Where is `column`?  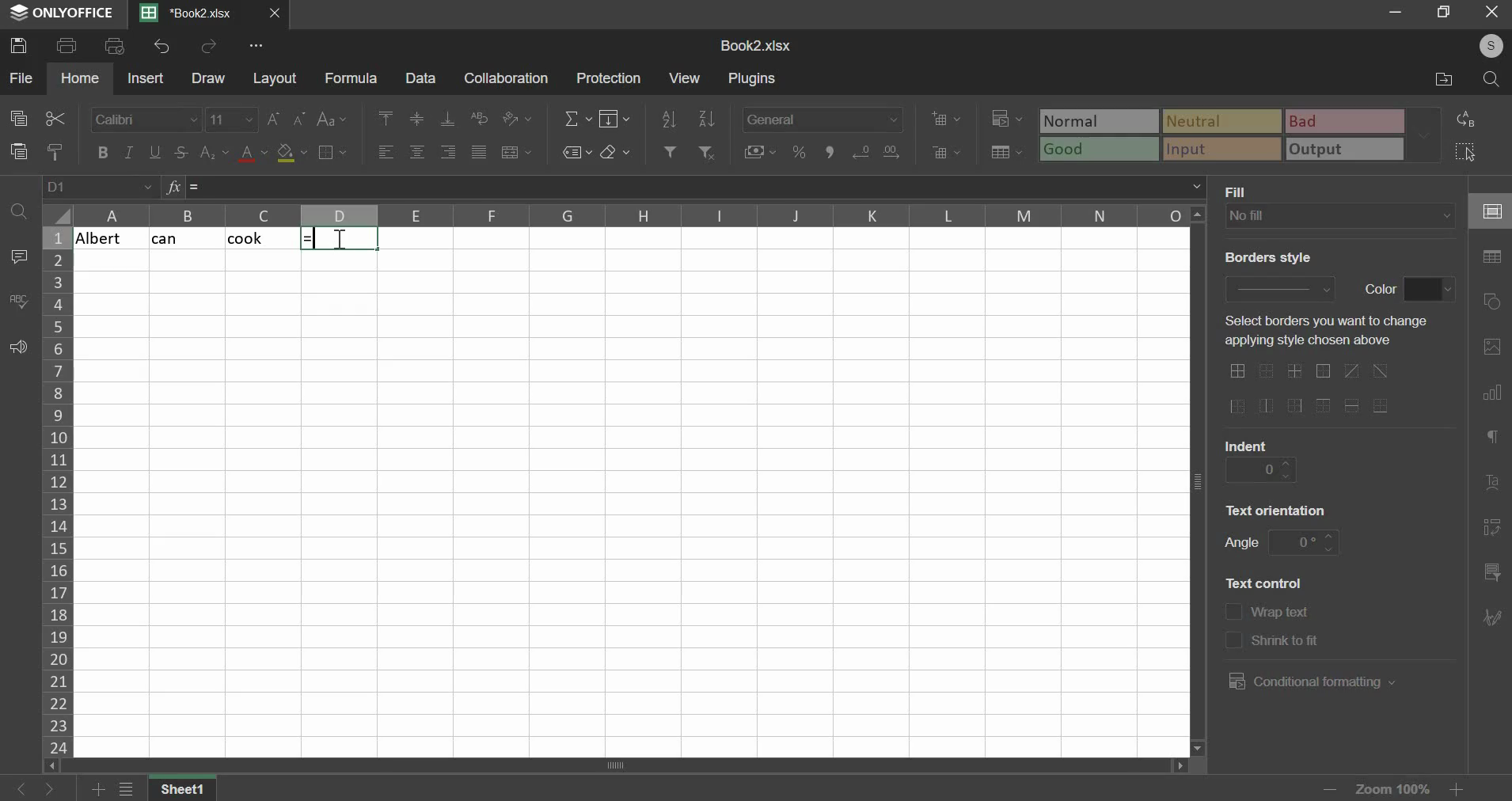 column is located at coordinates (56, 491).